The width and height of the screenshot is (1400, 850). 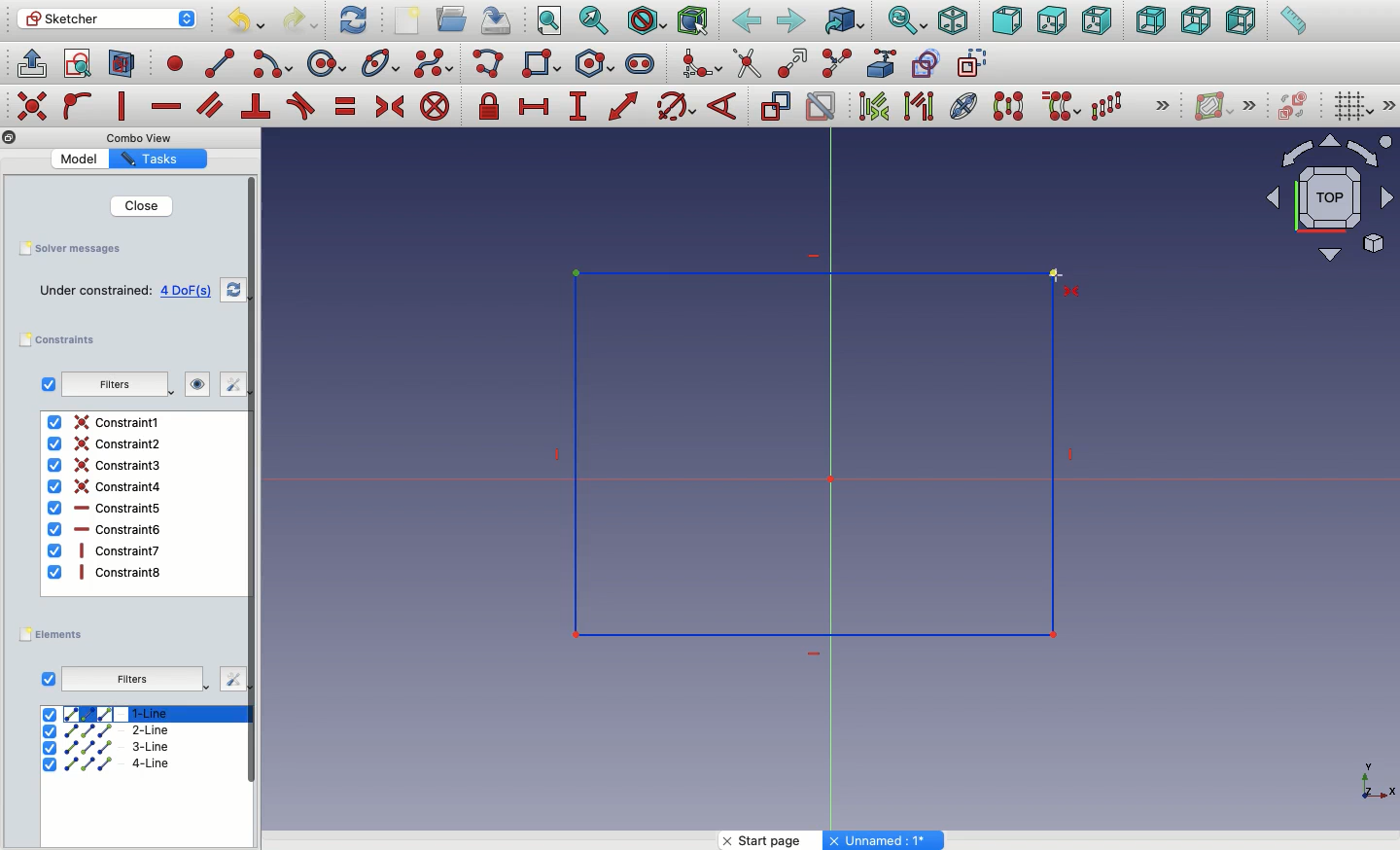 What do you see at coordinates (211, 105) in the screenshot?
I see `constrain parallel` at bounding box center [211, 105].